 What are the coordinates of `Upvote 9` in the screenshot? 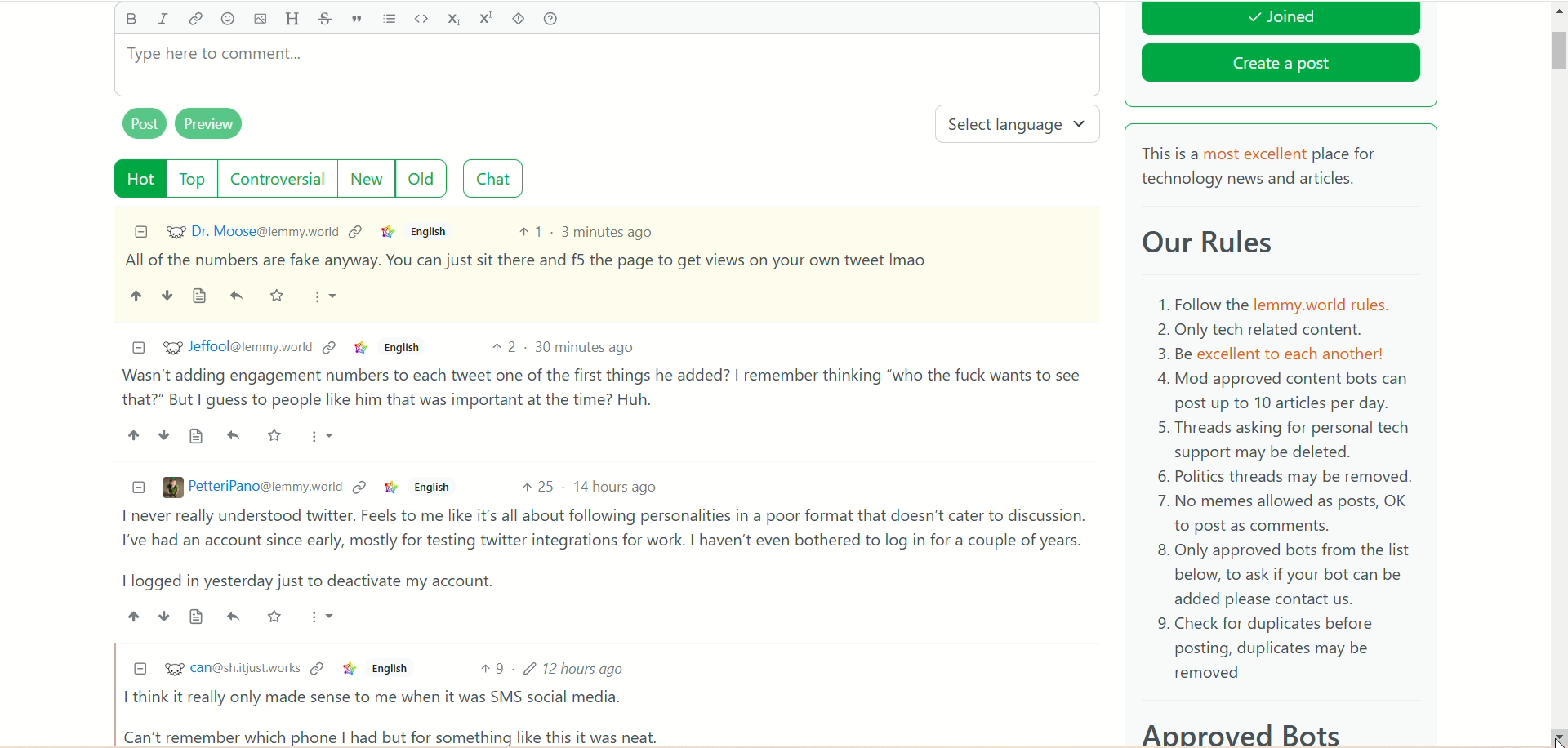 It's located at (492, 668).